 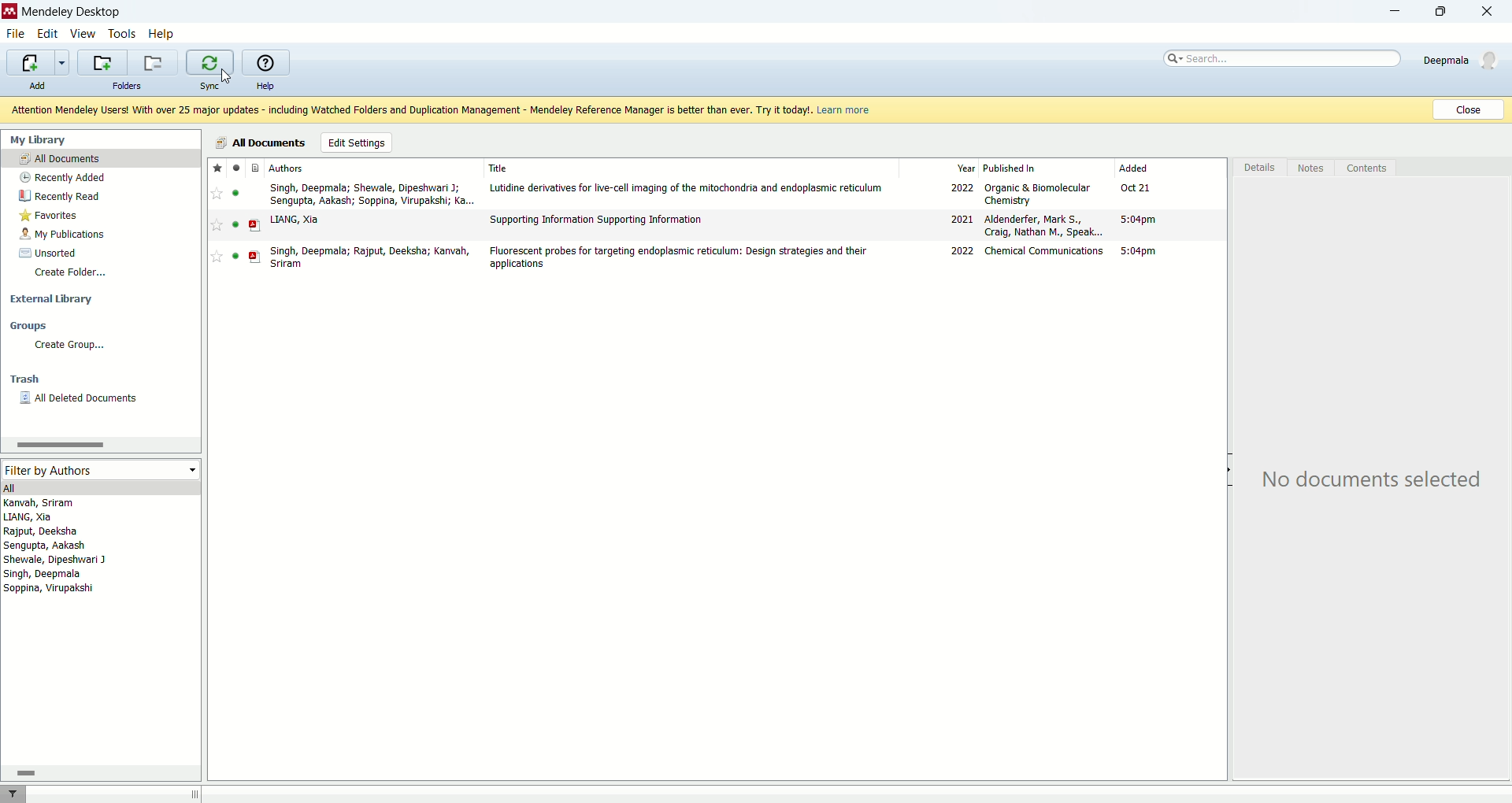 I want to click on LIANG, Xia, so click(x=299, y=223).